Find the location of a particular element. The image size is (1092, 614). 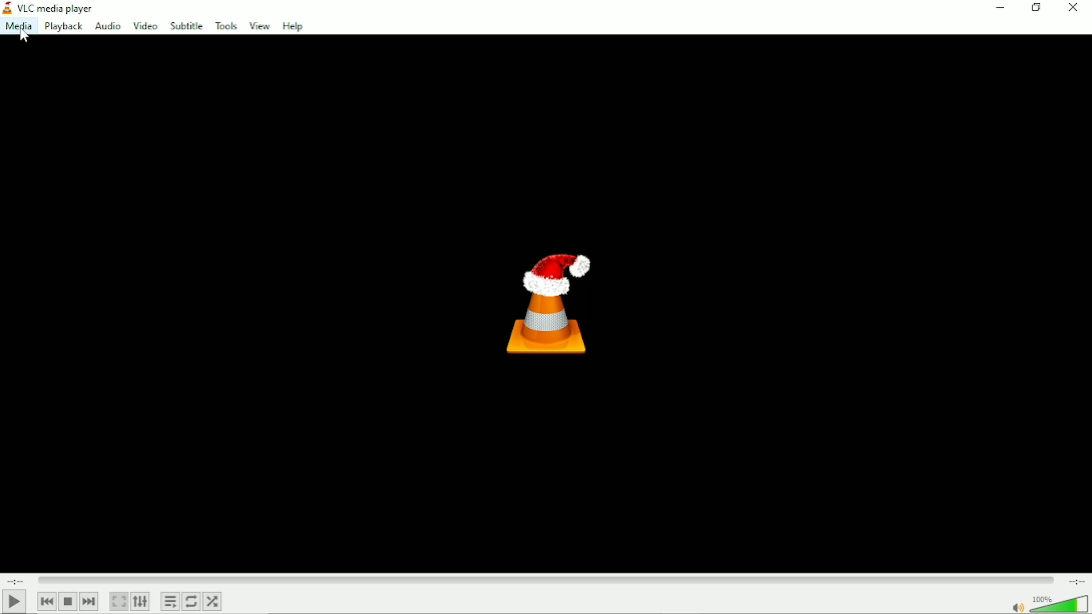

Restore down is located at coordinates (1035, 10).